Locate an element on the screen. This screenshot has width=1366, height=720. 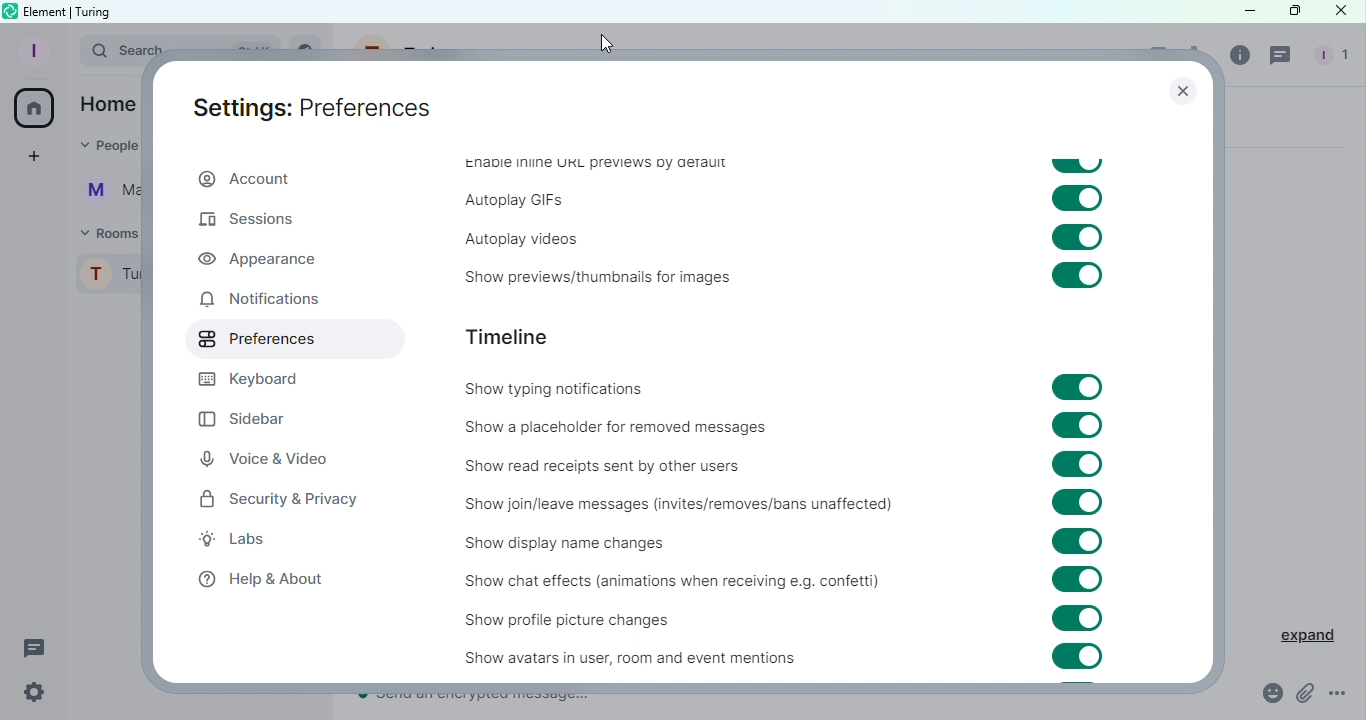
Scroll bar is located at coordinates (1207, 396).